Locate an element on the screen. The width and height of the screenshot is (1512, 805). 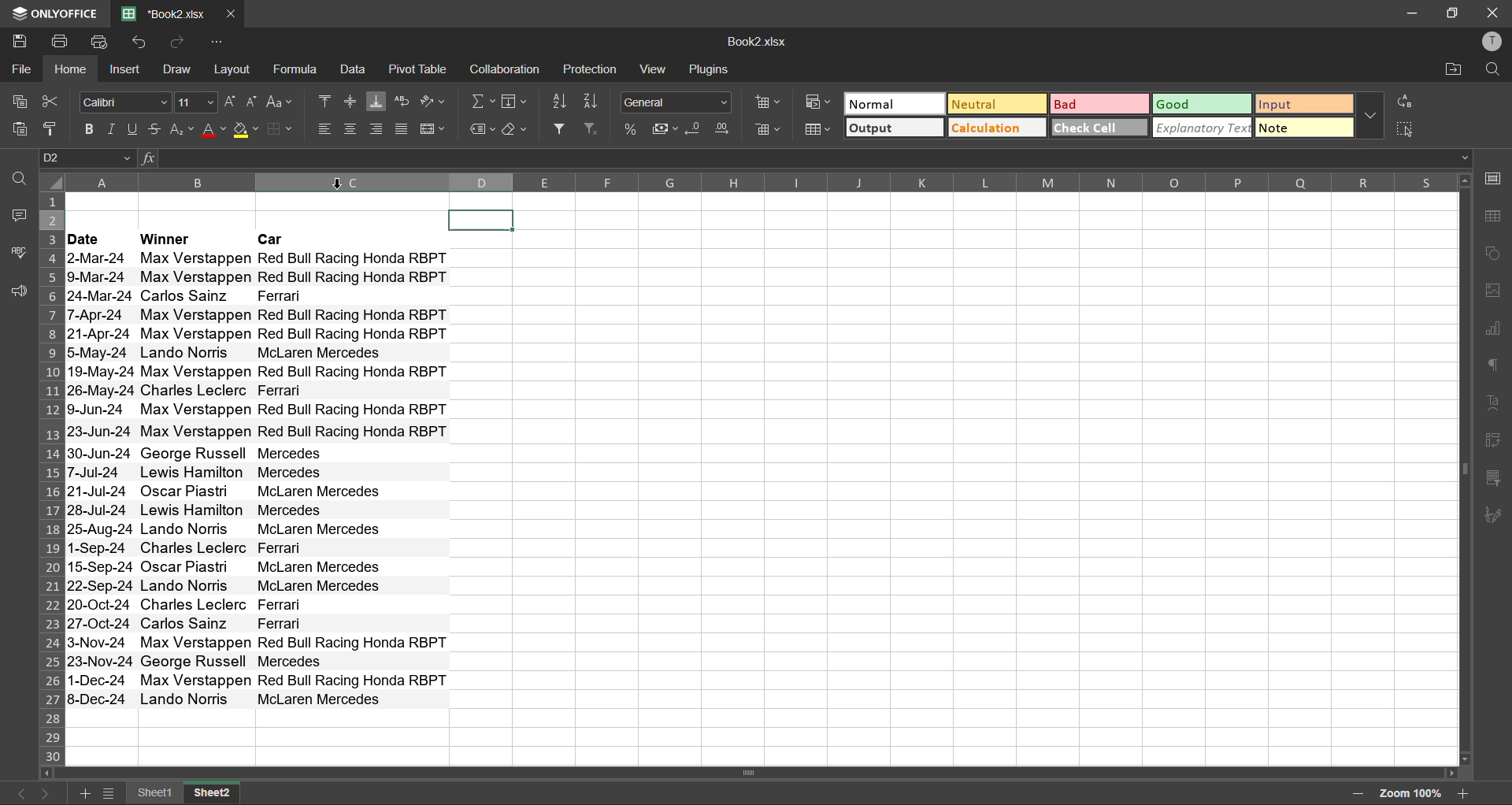
open location is located at coordinates (1448, 72).